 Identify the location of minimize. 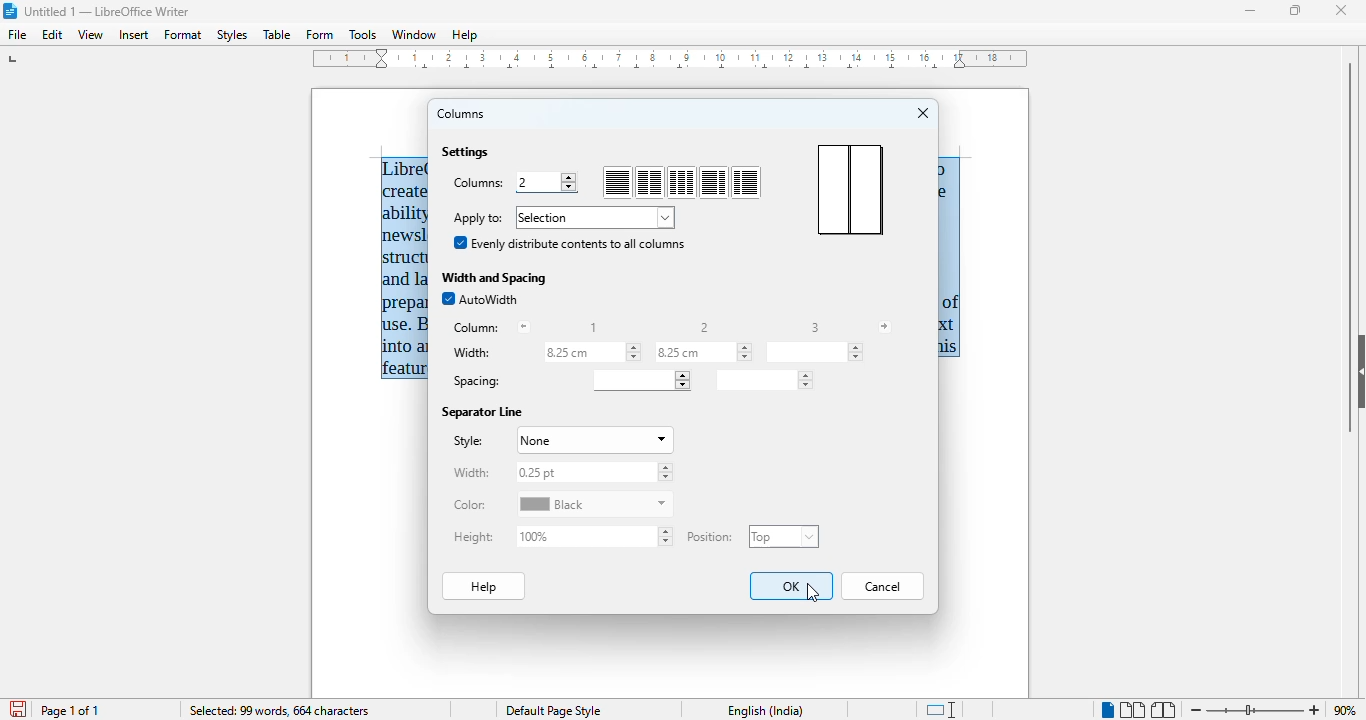
(1252, 11).